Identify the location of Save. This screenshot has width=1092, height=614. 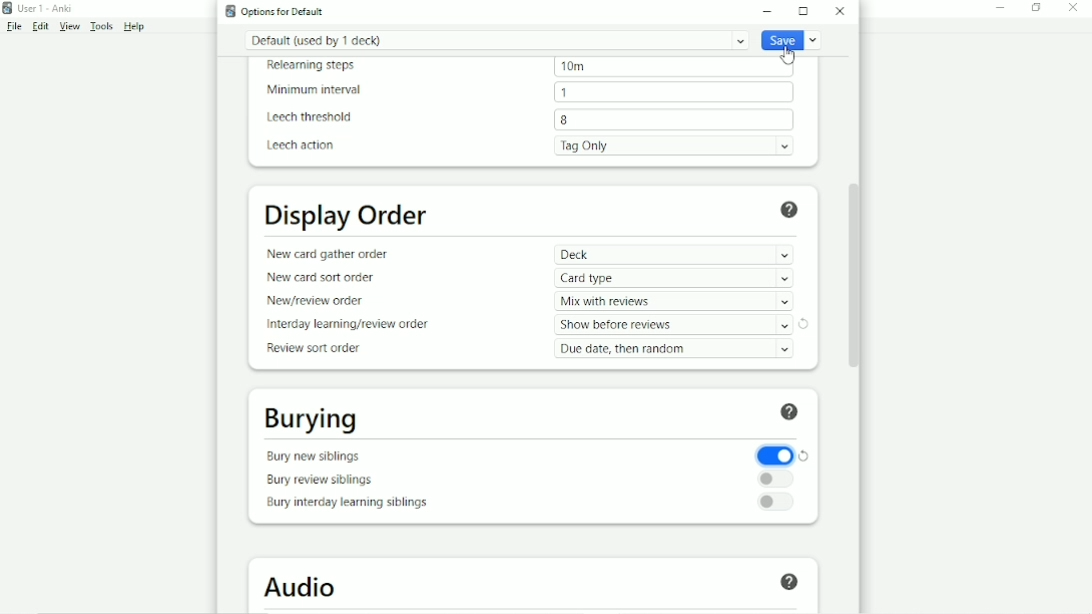
(792, 41).